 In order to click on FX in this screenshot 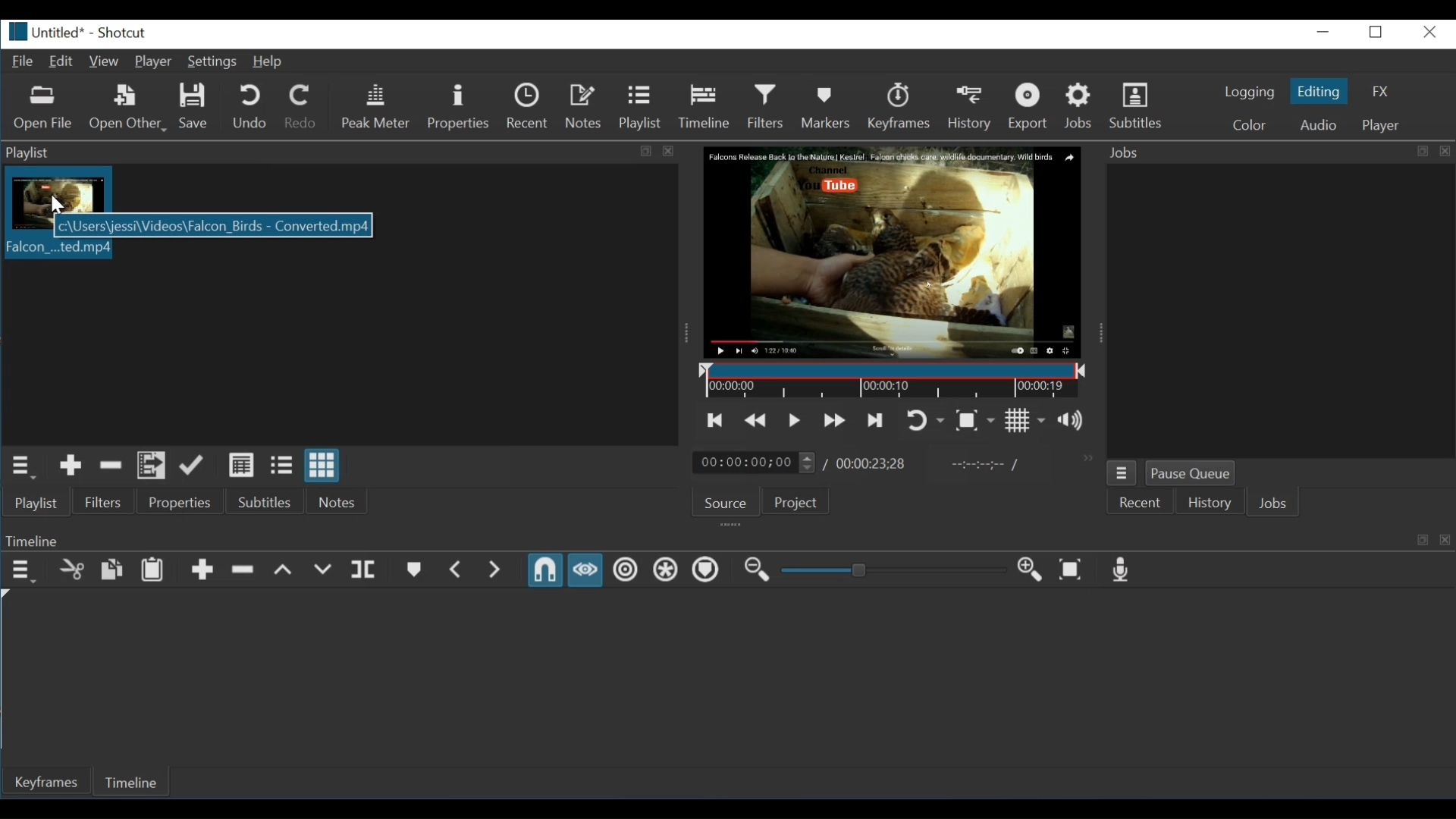, I will do `click(1379, 91)`.